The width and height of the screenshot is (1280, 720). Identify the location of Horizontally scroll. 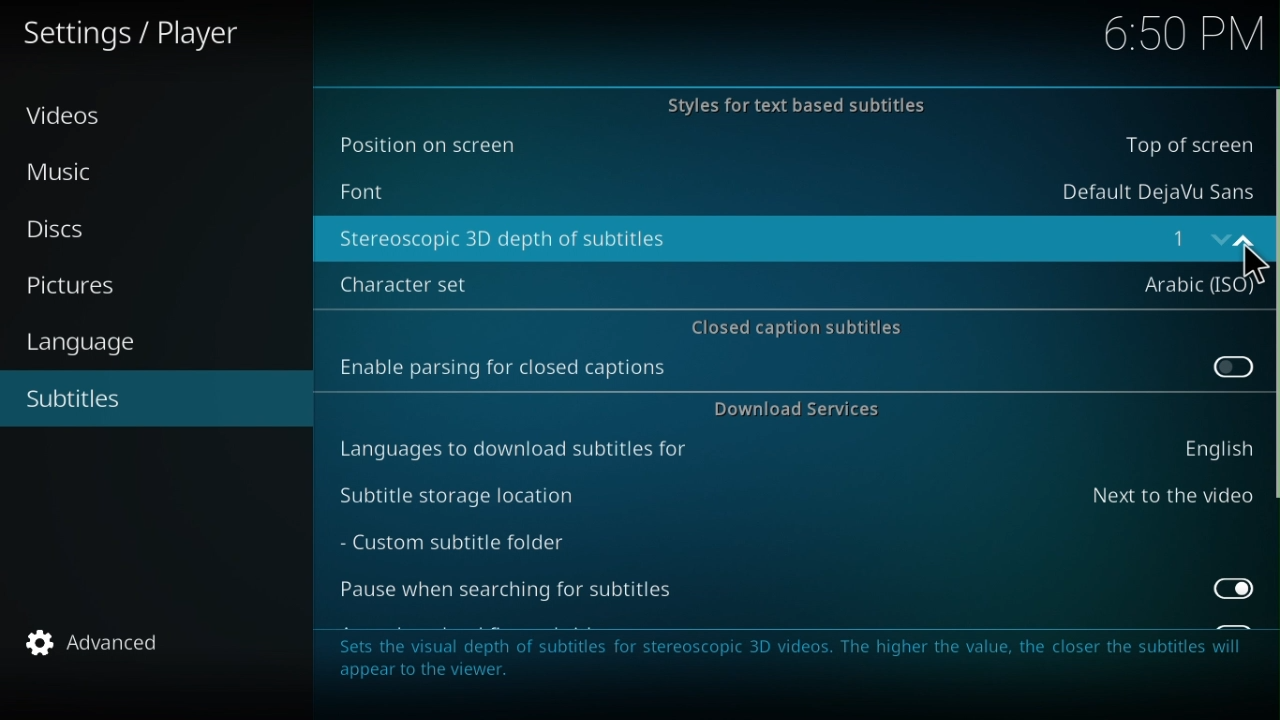
(1272, 295).